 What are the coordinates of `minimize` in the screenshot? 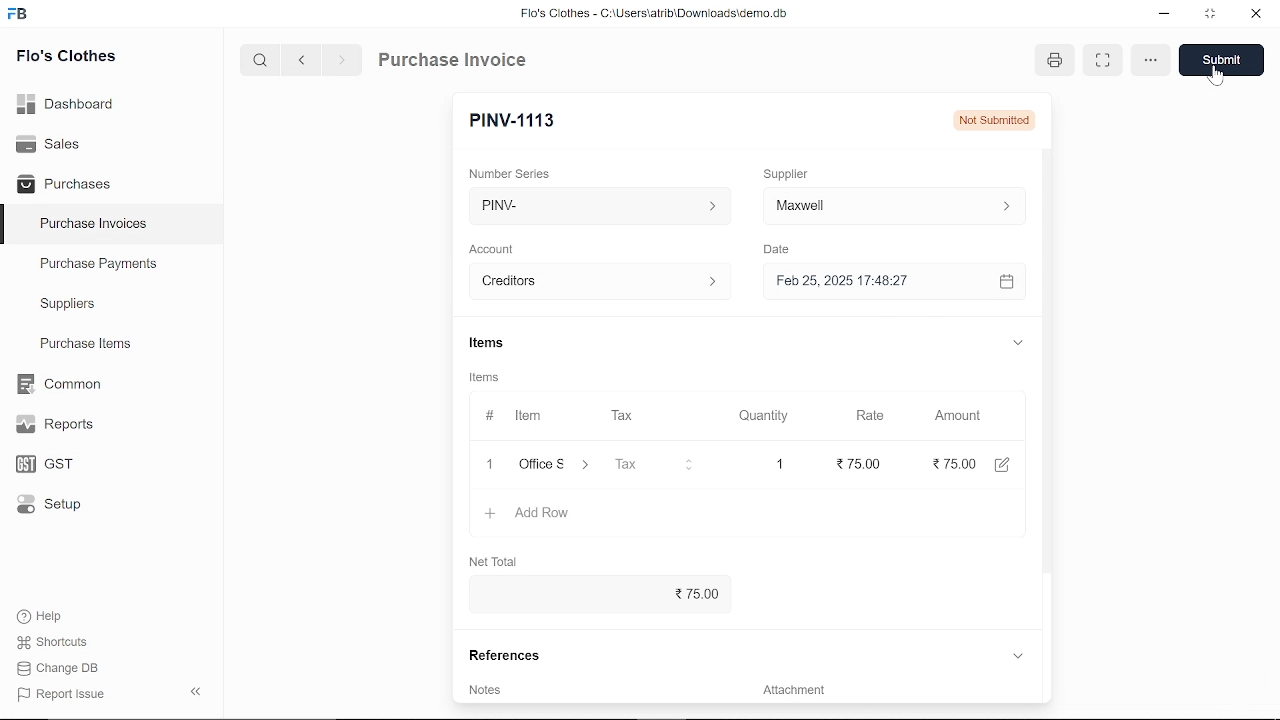 It's located at (1162, 14).